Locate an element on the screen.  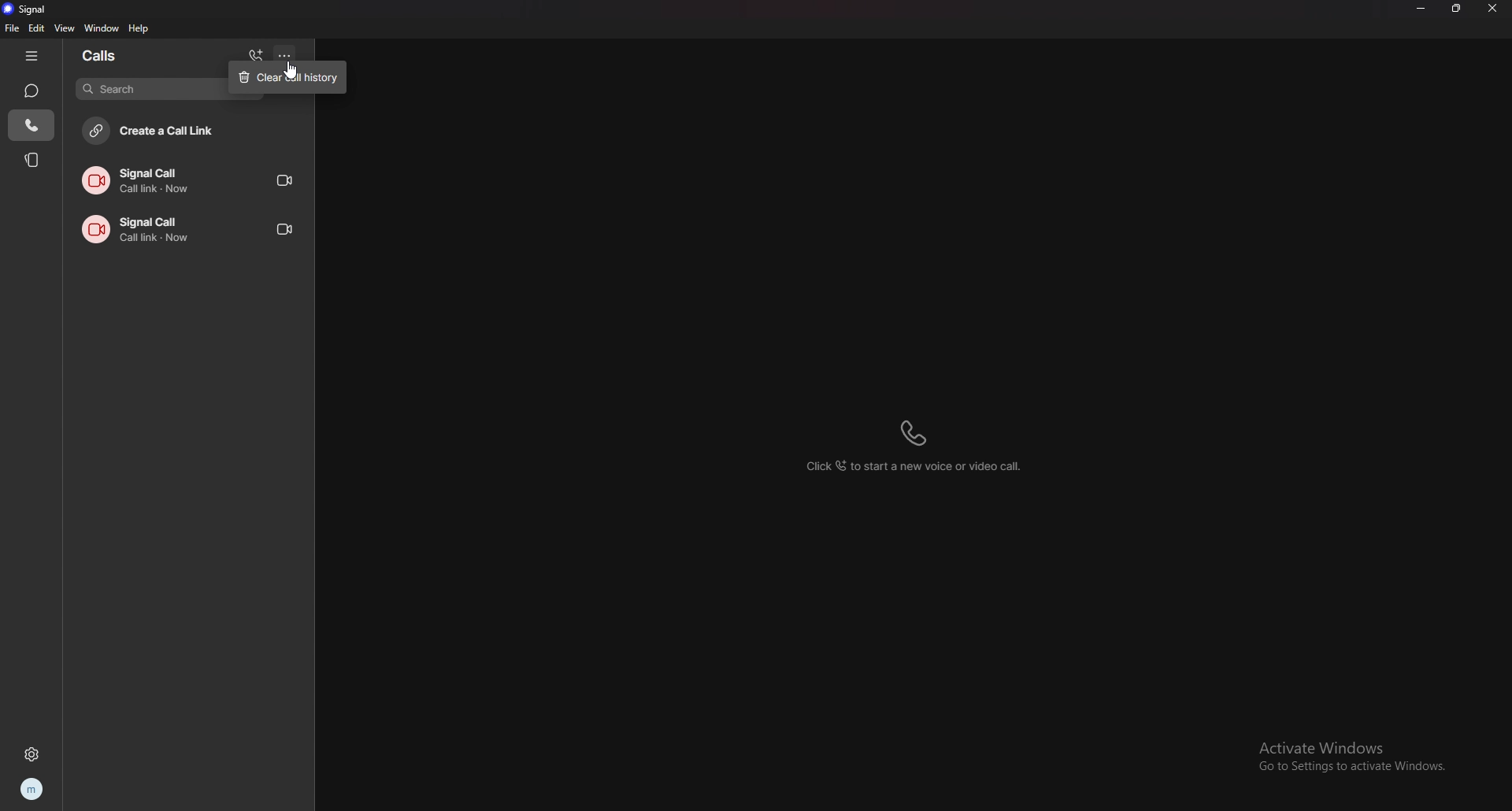
view is located at coordinates (66, 28).